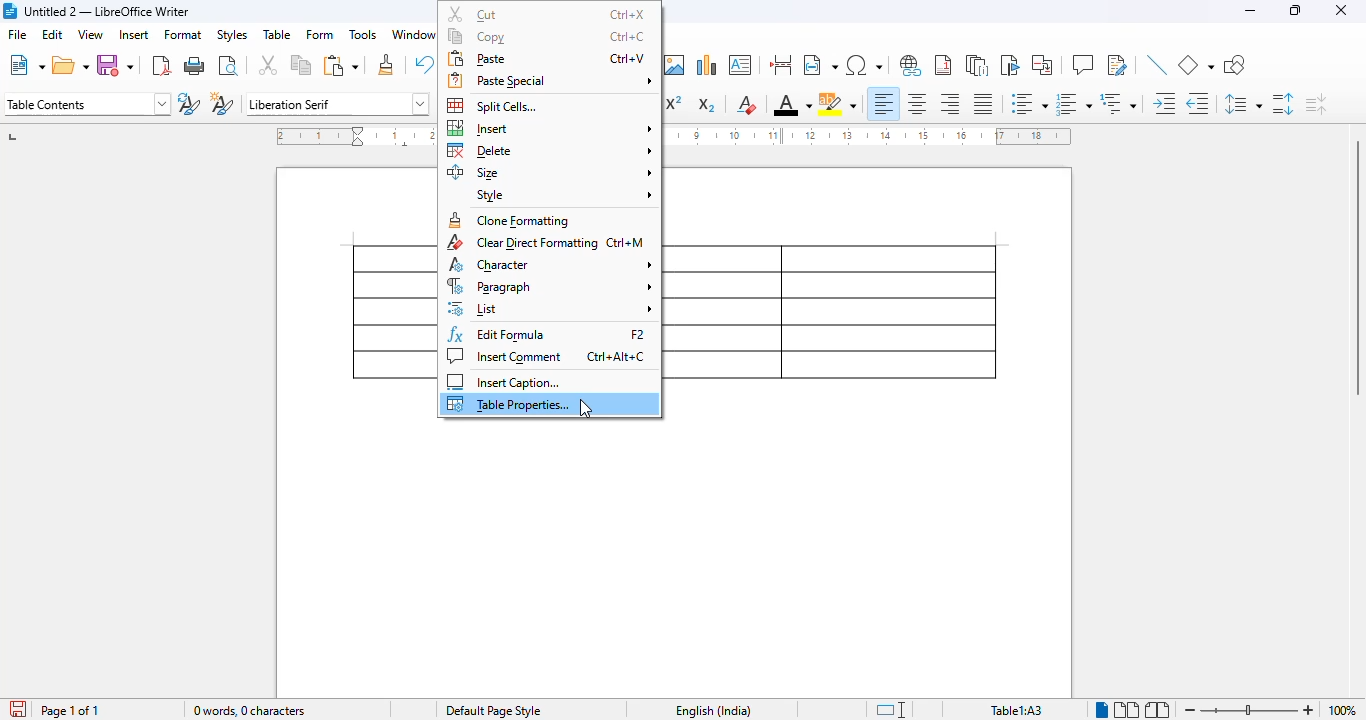 This screenshot has height=720, width=1366. What do you see at coordinates (161, 66) in the screenshot?
I see `export directly as PDF` at bounding box center [161, 66].